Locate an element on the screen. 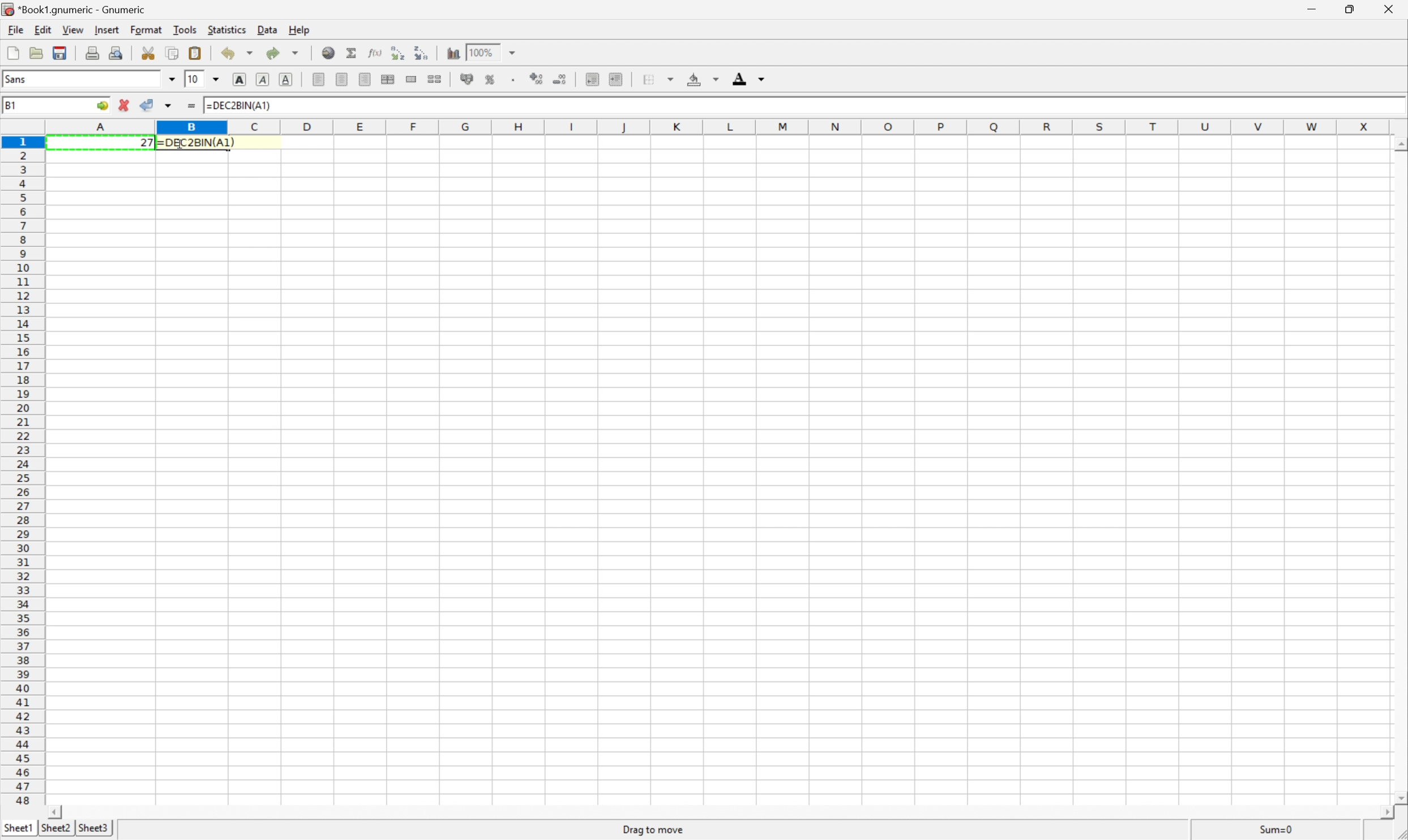  Enter formula is located at coordinates (194, 107).